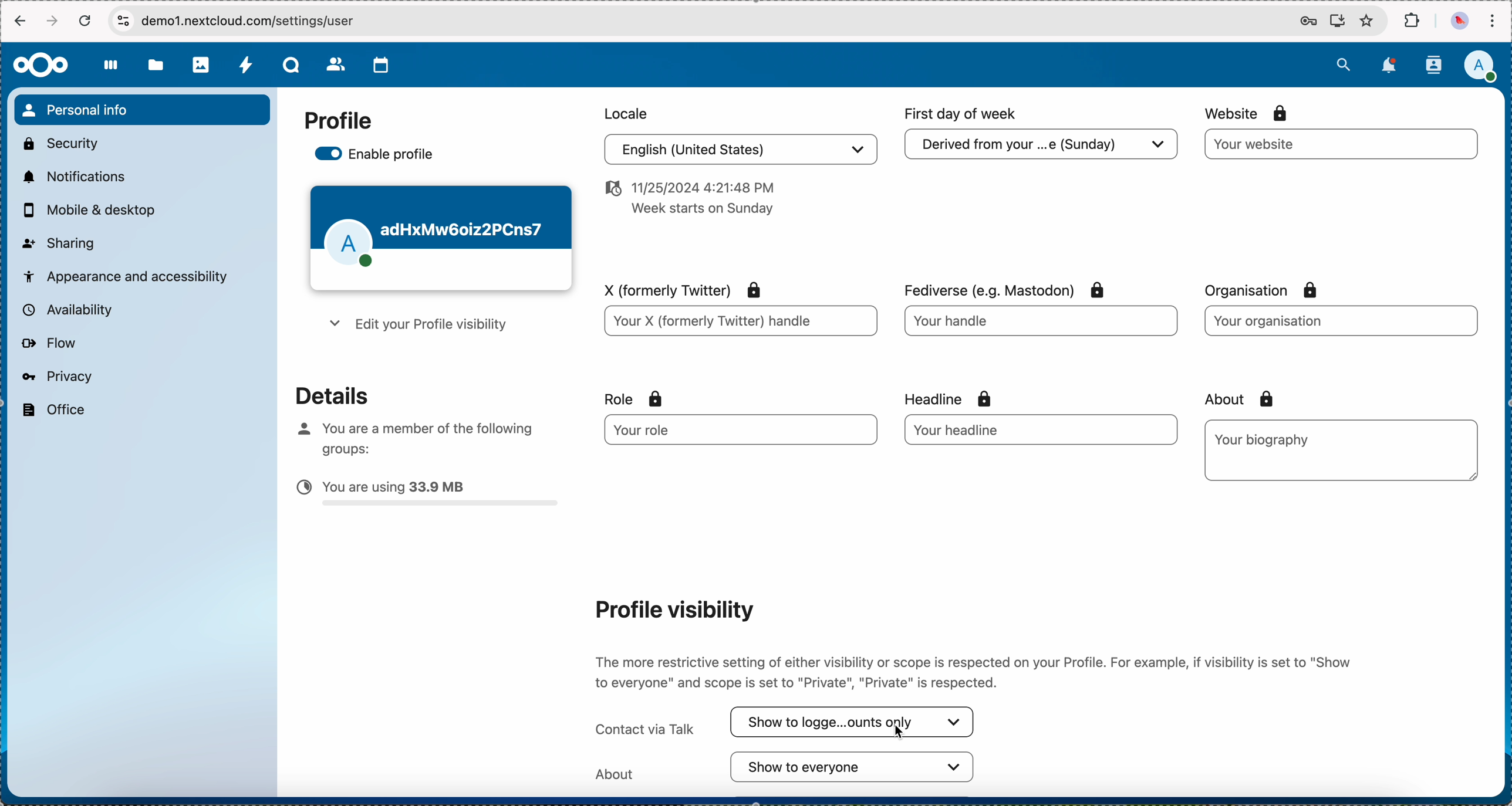 Image resolution: width=1512 pixels, height=806 pixels. Describe the element at coordinates (262, 21) in the screenshot. I see `URL` at that location.